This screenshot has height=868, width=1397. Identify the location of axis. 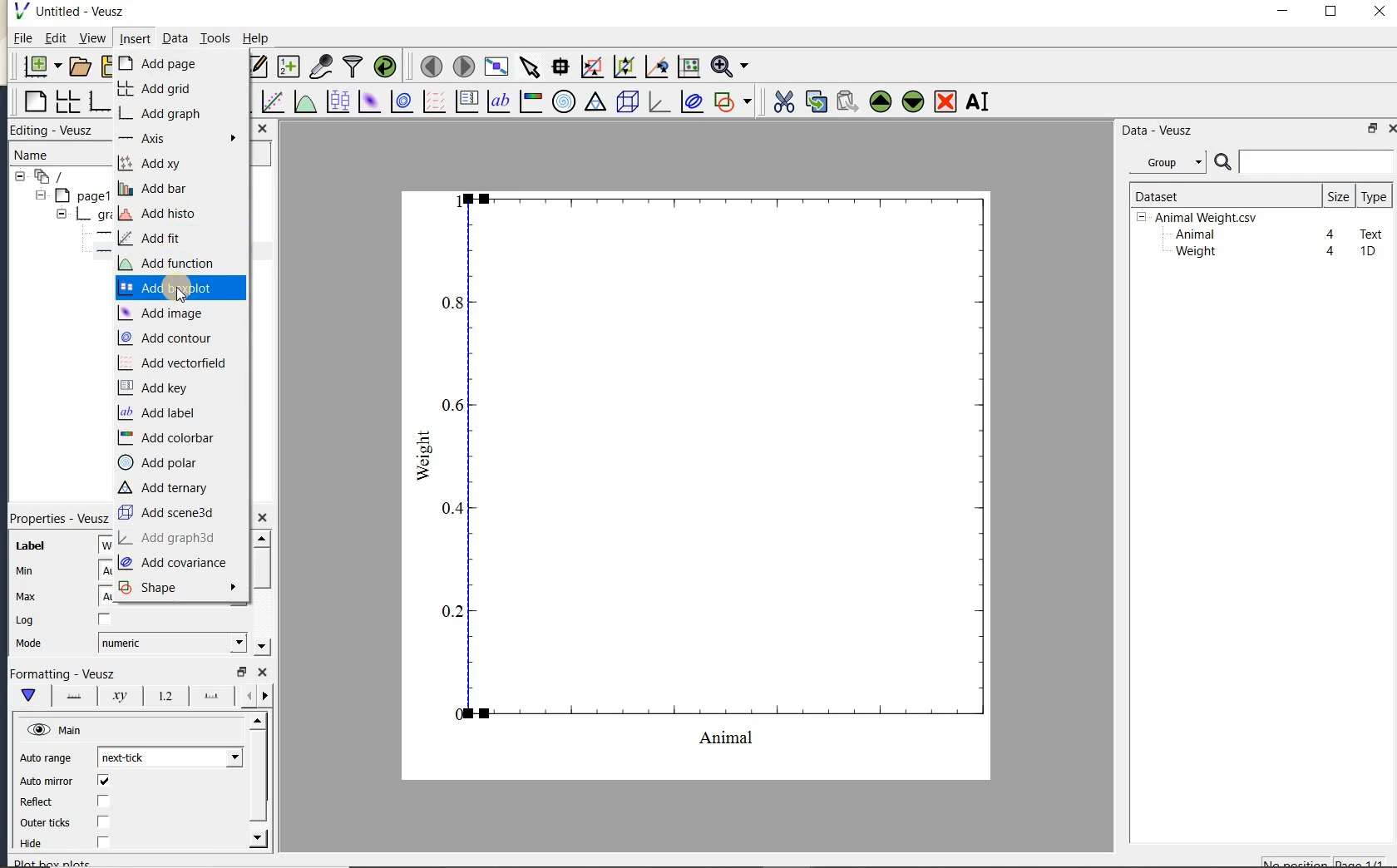
(96, 253).